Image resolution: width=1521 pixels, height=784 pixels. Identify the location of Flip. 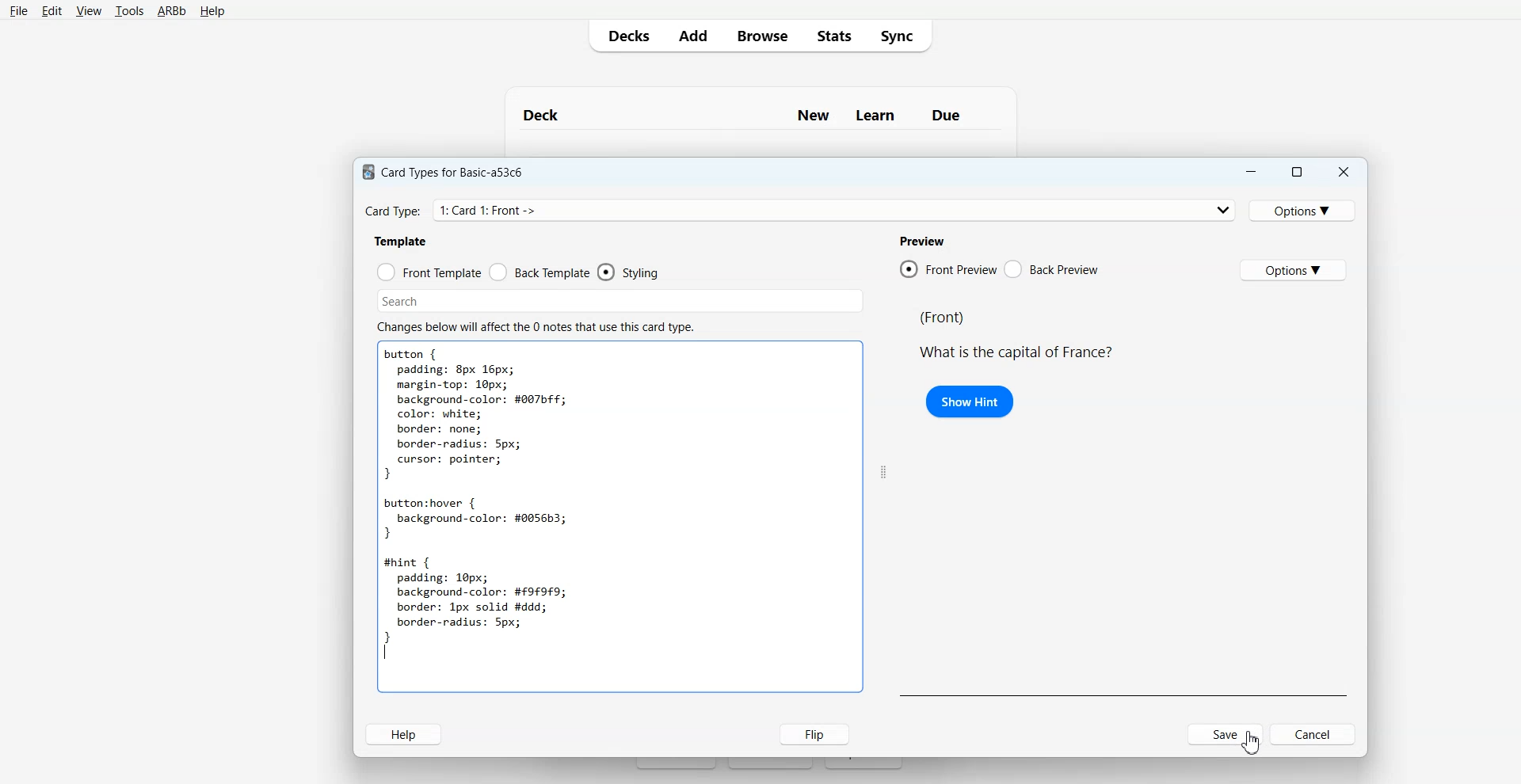
(810, 733).